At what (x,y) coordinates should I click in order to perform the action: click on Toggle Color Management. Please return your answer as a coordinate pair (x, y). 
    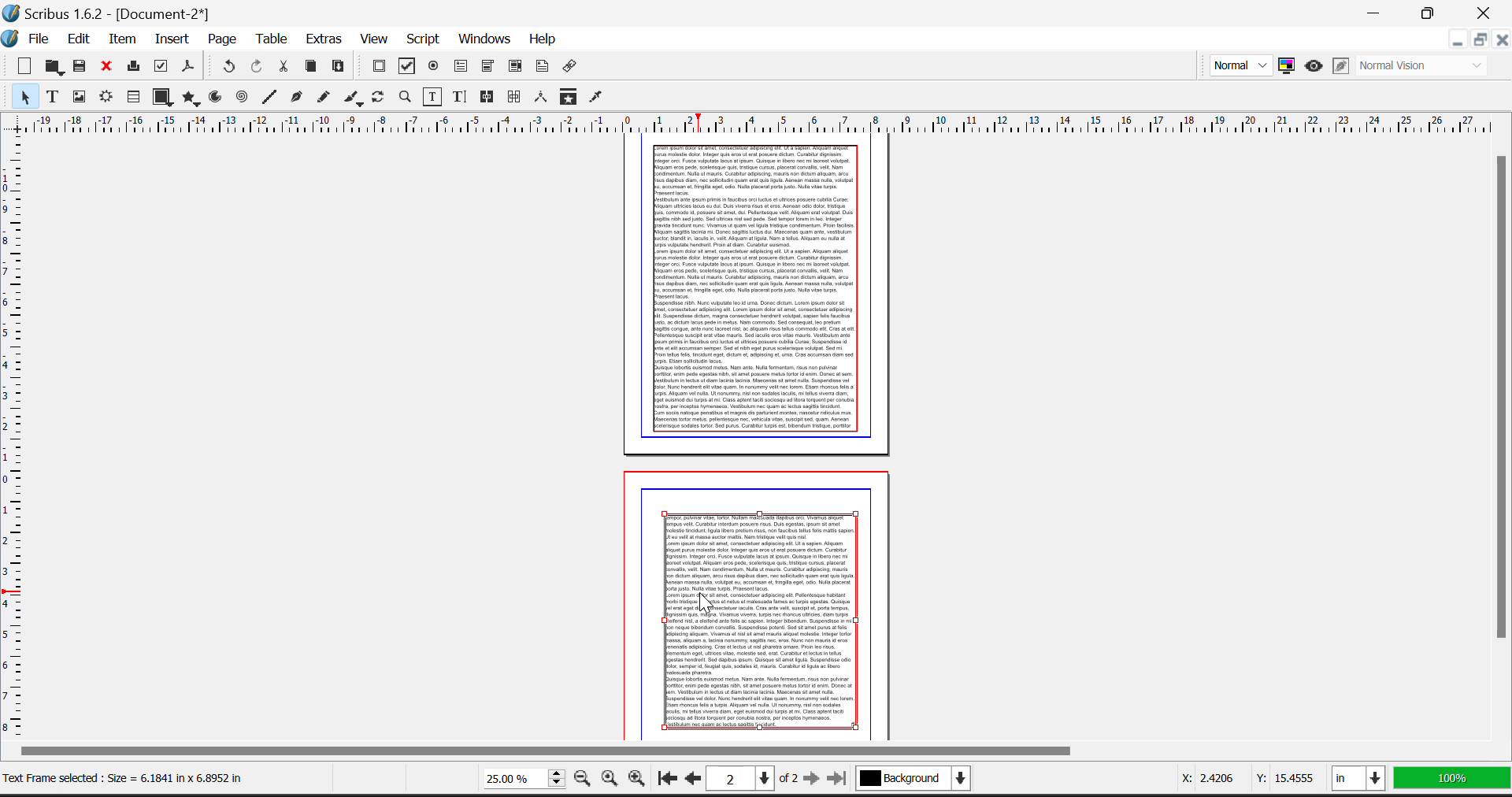
    Looking at the image, I should click on (1289, 67).